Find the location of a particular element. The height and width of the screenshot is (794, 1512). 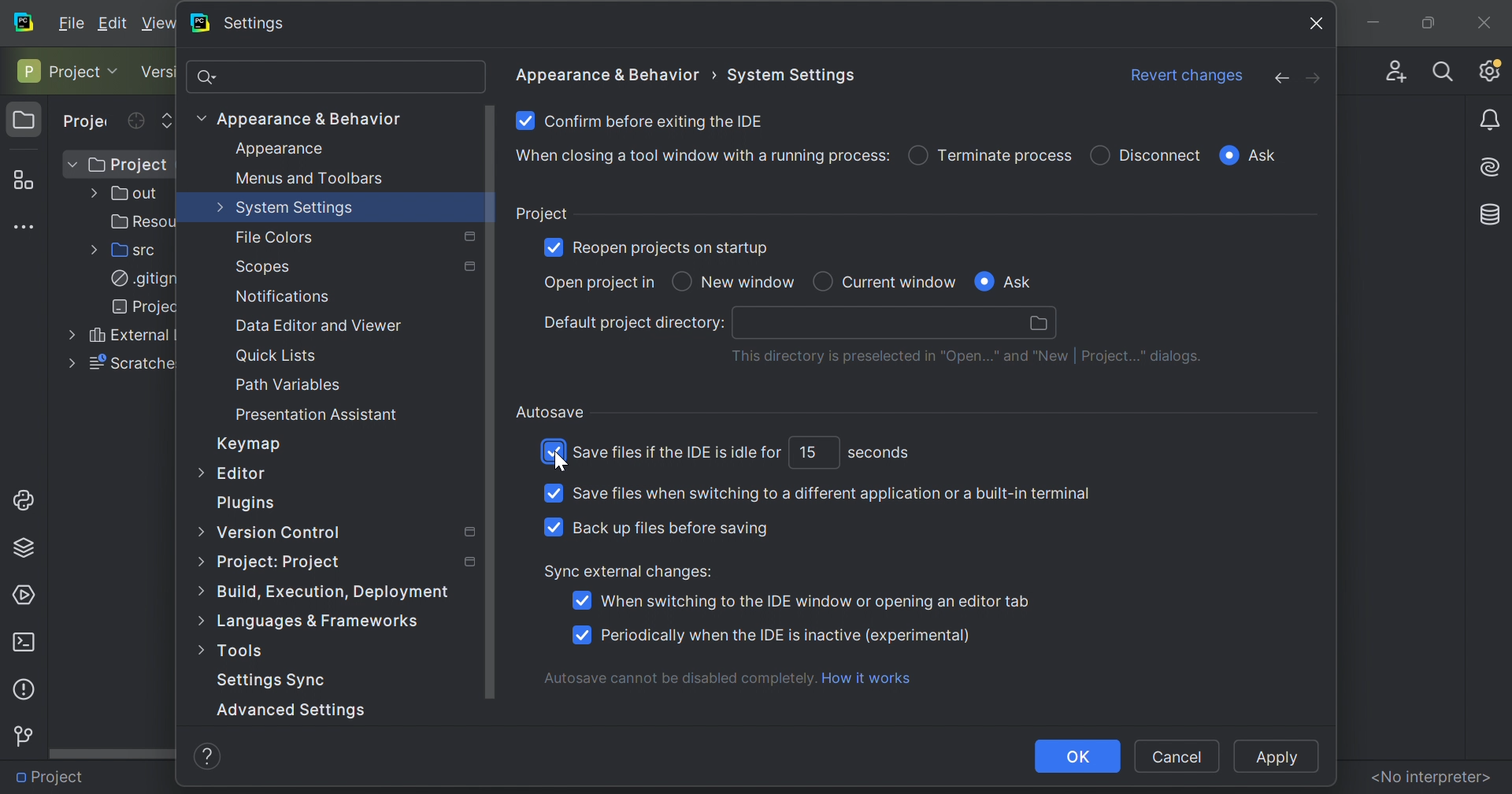

System settings is located at coordinates (793, 72).